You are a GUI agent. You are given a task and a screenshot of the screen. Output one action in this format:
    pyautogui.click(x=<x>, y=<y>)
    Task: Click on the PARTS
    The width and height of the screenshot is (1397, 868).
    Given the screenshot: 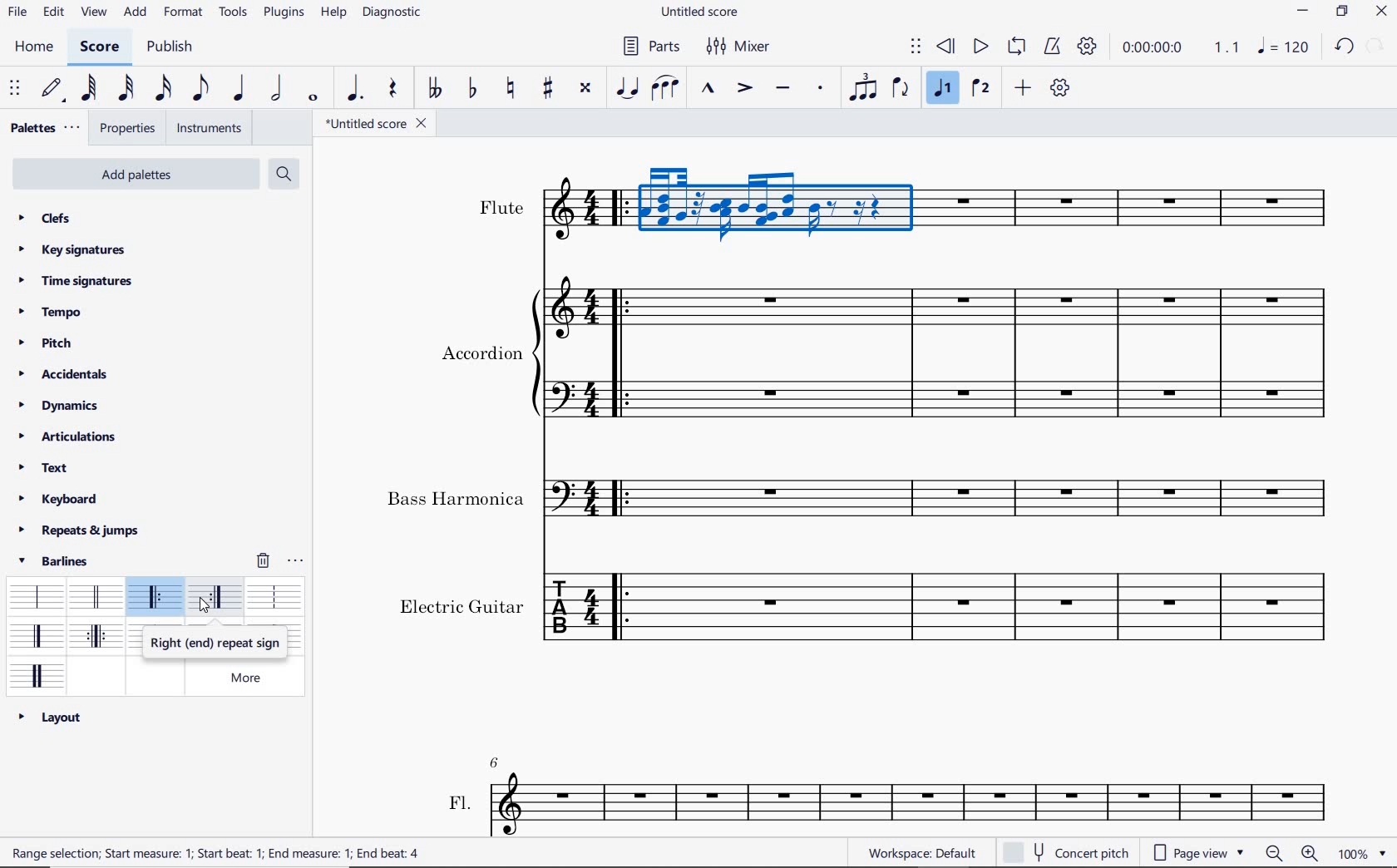 What is the action you would take?
    pyautogui.click(x=649, y=49)
    